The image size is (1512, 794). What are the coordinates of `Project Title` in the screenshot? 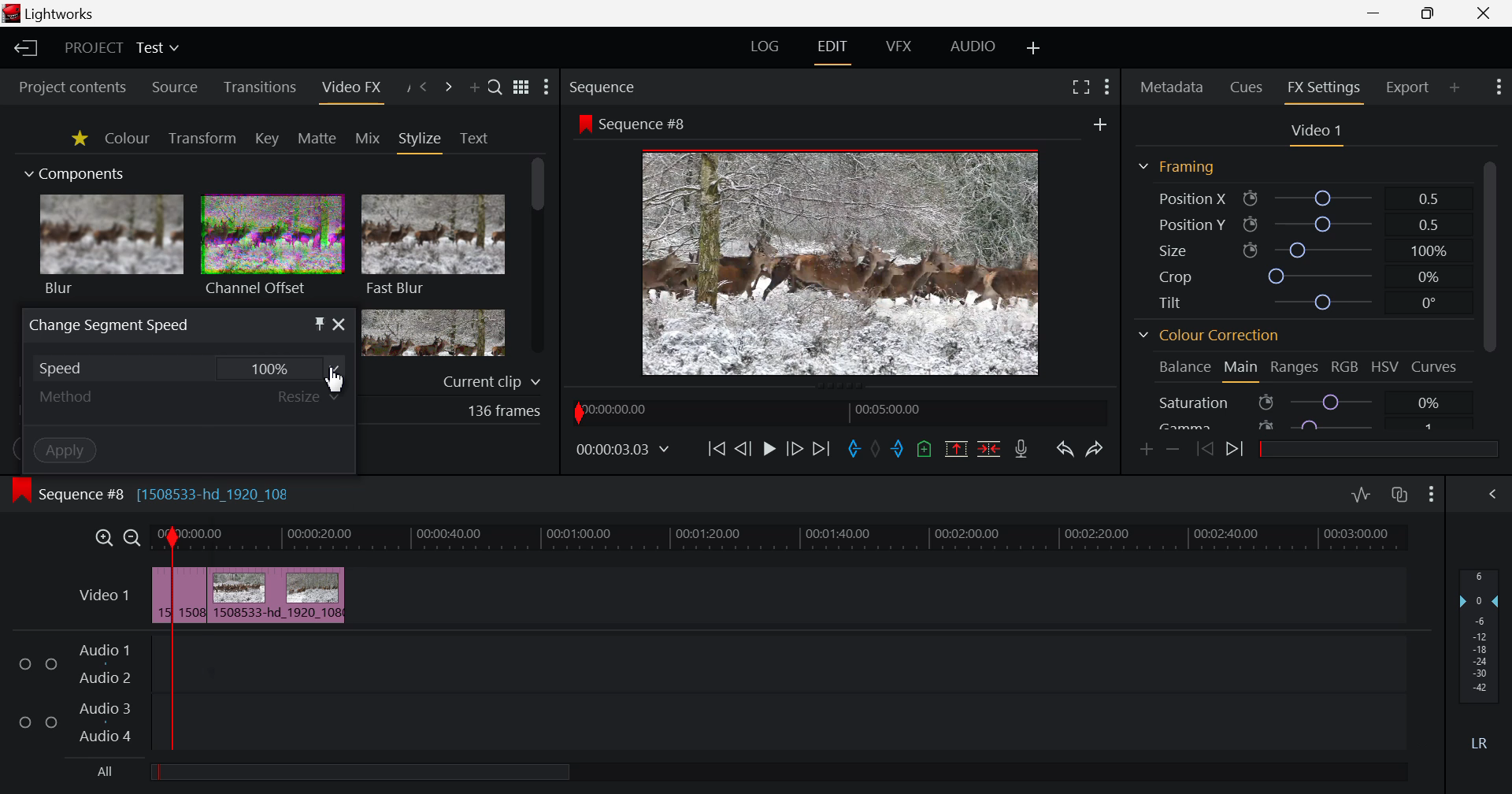 It's located at (124, 47).